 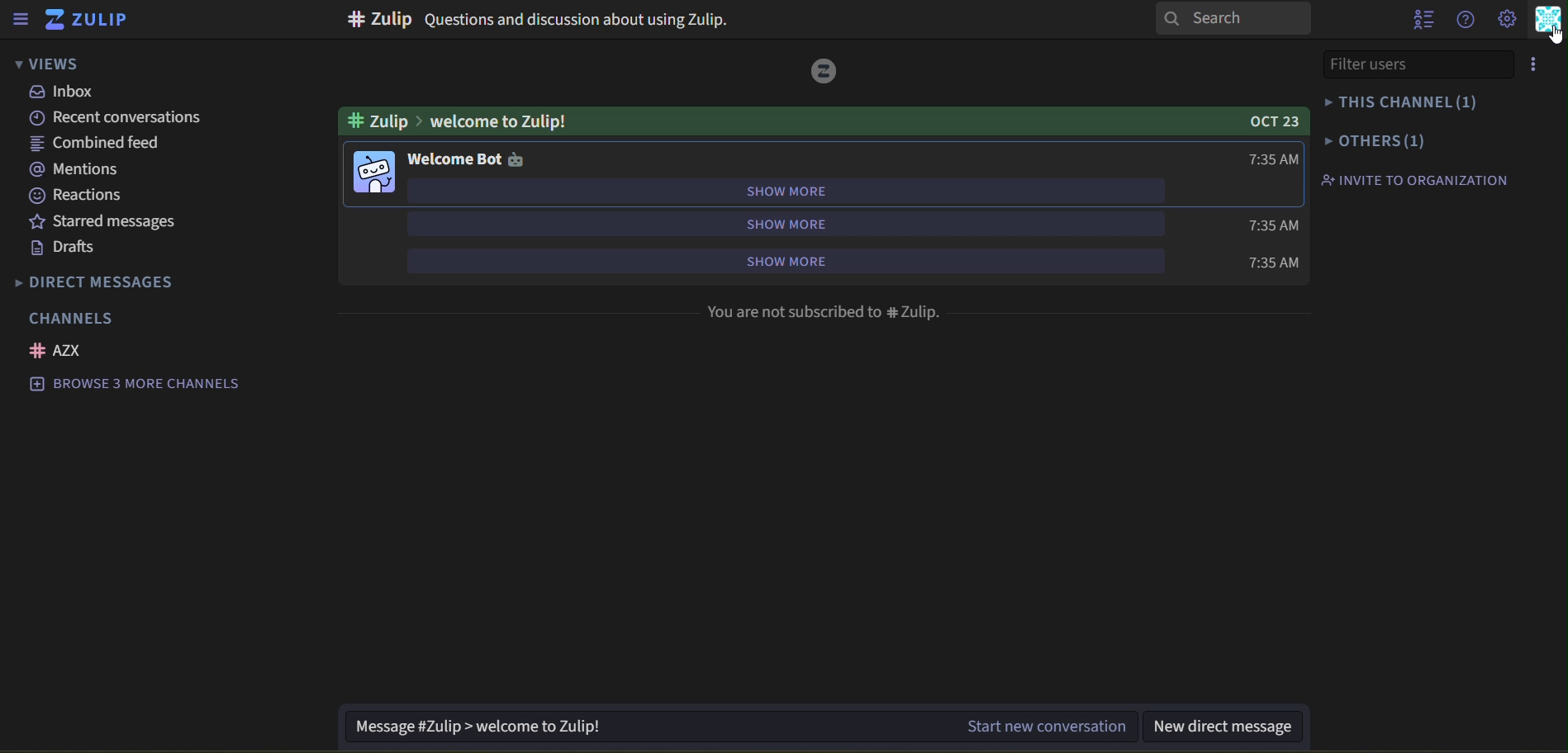 I want to click on search, so click(x=1234, y=19).